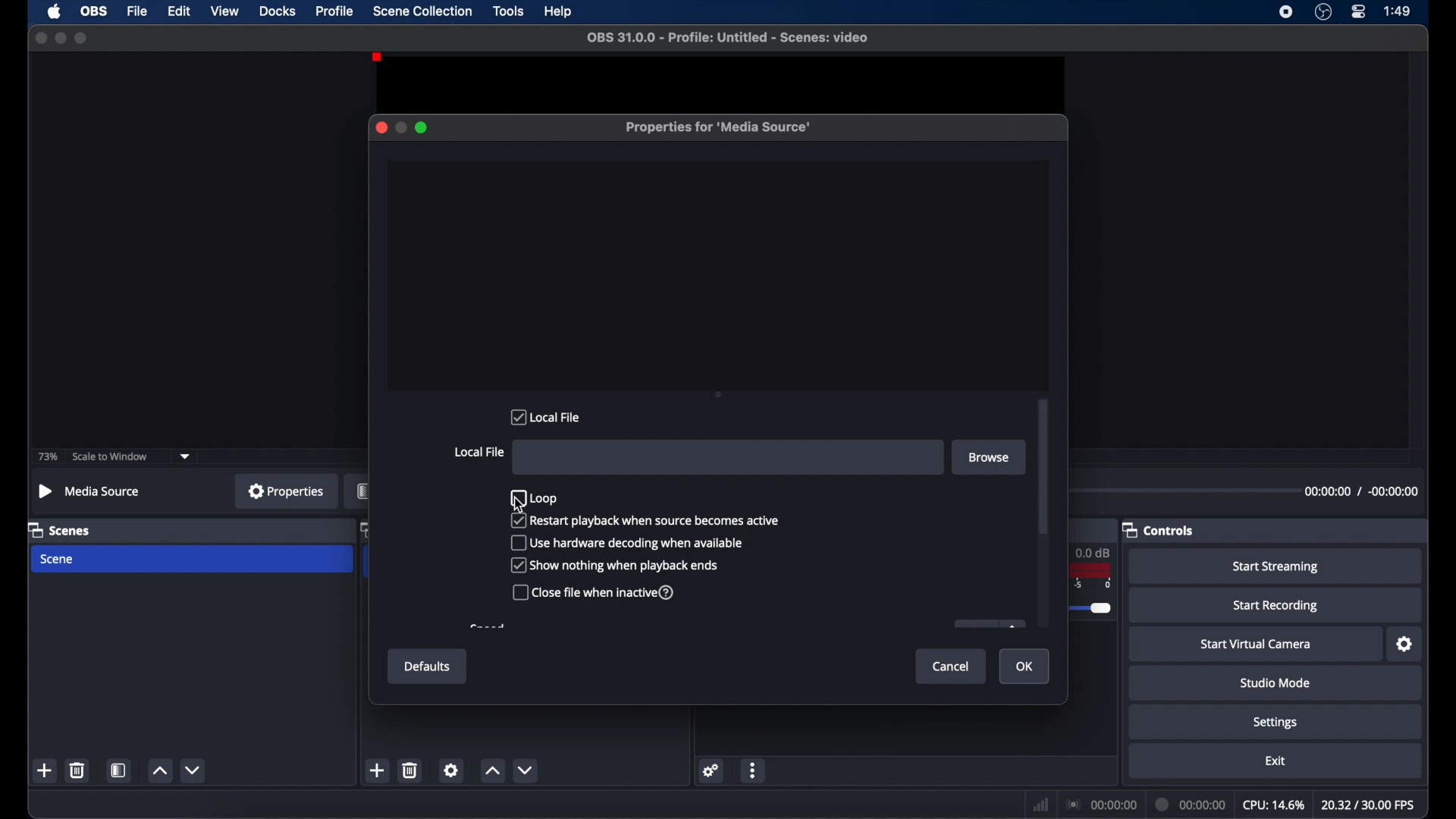 Image resolution: width=1456 pixels, height=819 pixels. I want to click on add, so click(45, 770).